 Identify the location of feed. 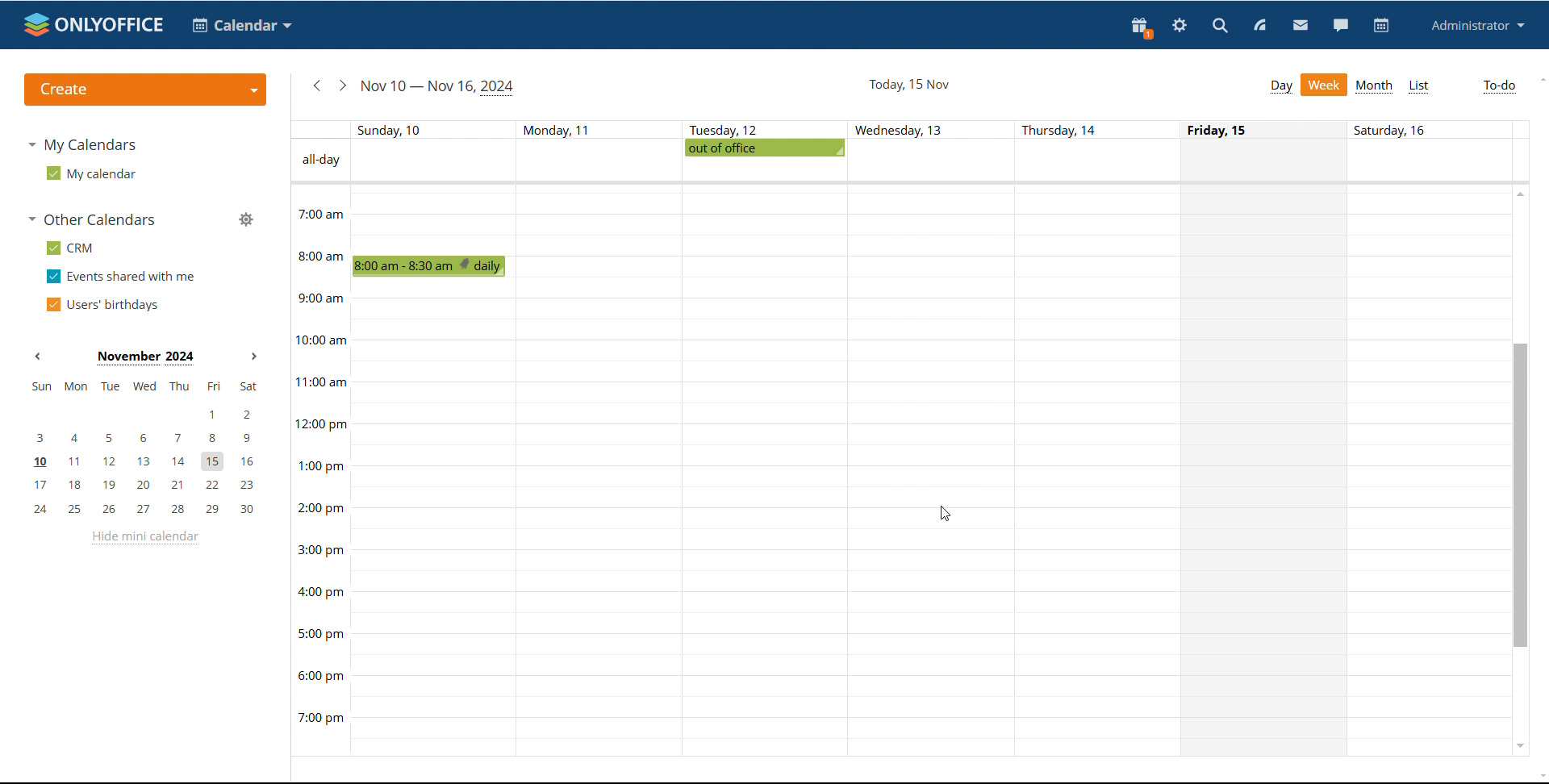
(1261, 27).